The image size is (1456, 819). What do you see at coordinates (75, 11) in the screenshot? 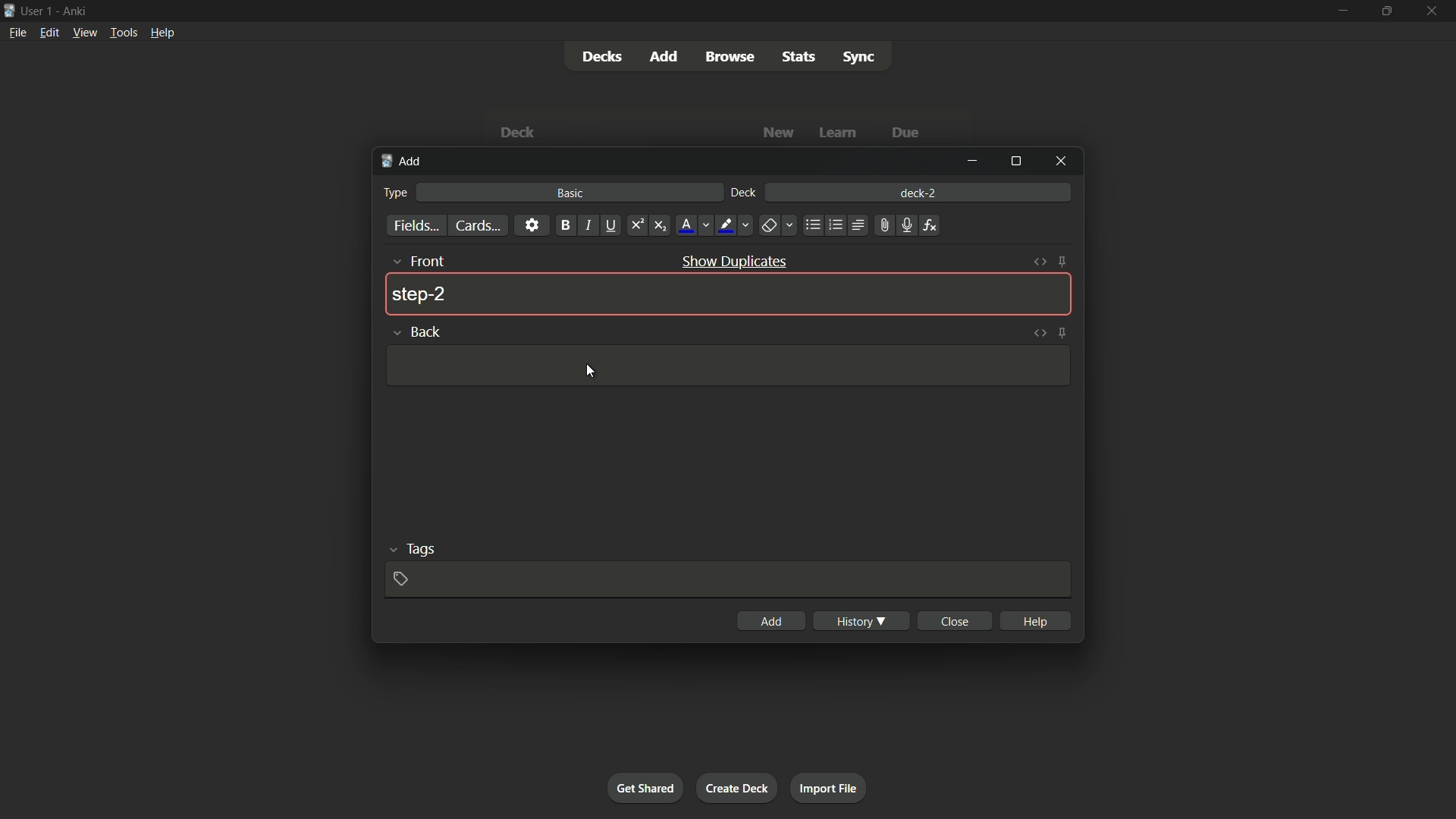
I see `app name` at bounding box center [75, 11].